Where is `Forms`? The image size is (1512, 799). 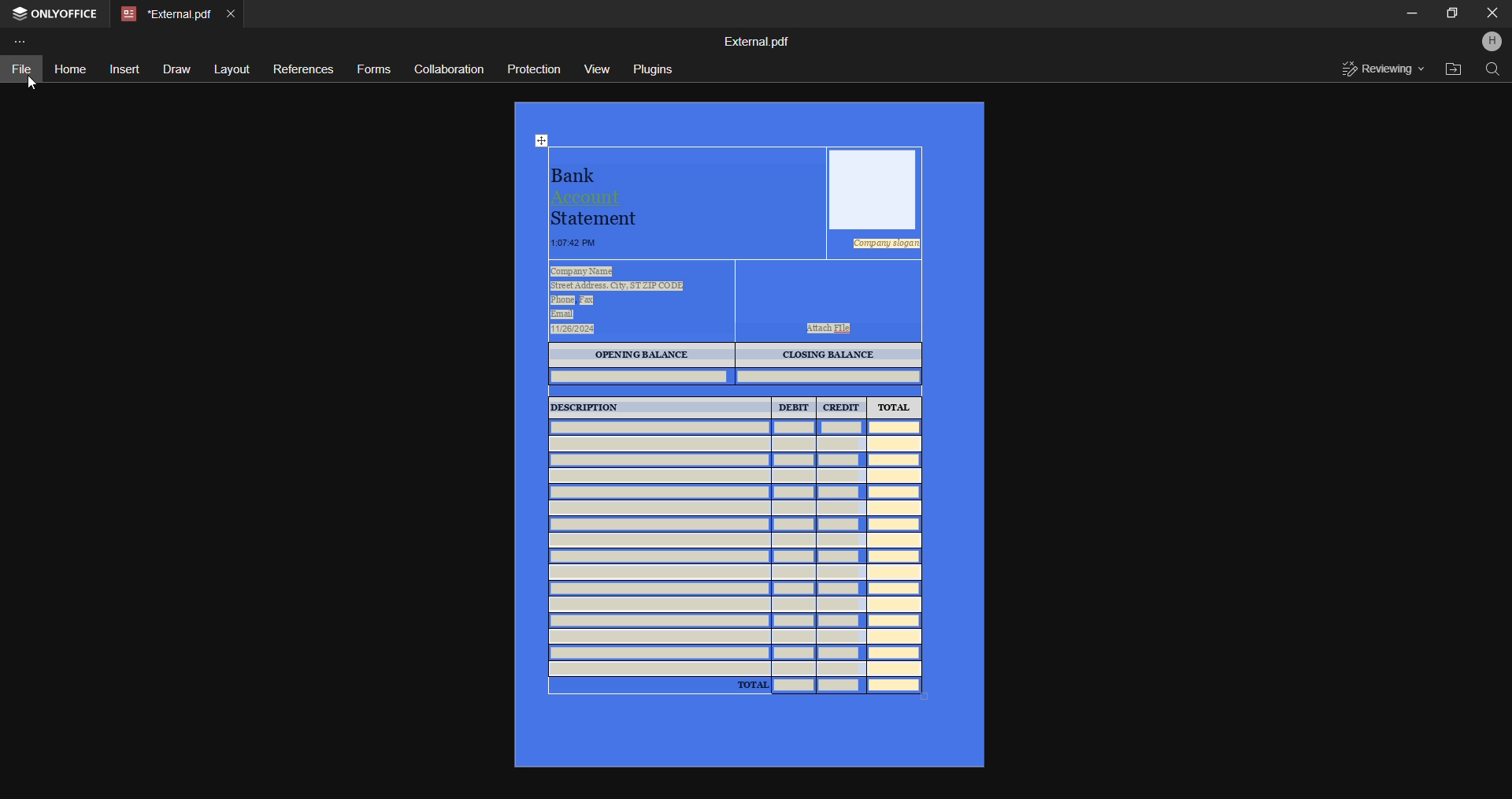 Forms is located at coordinates (373, 68).